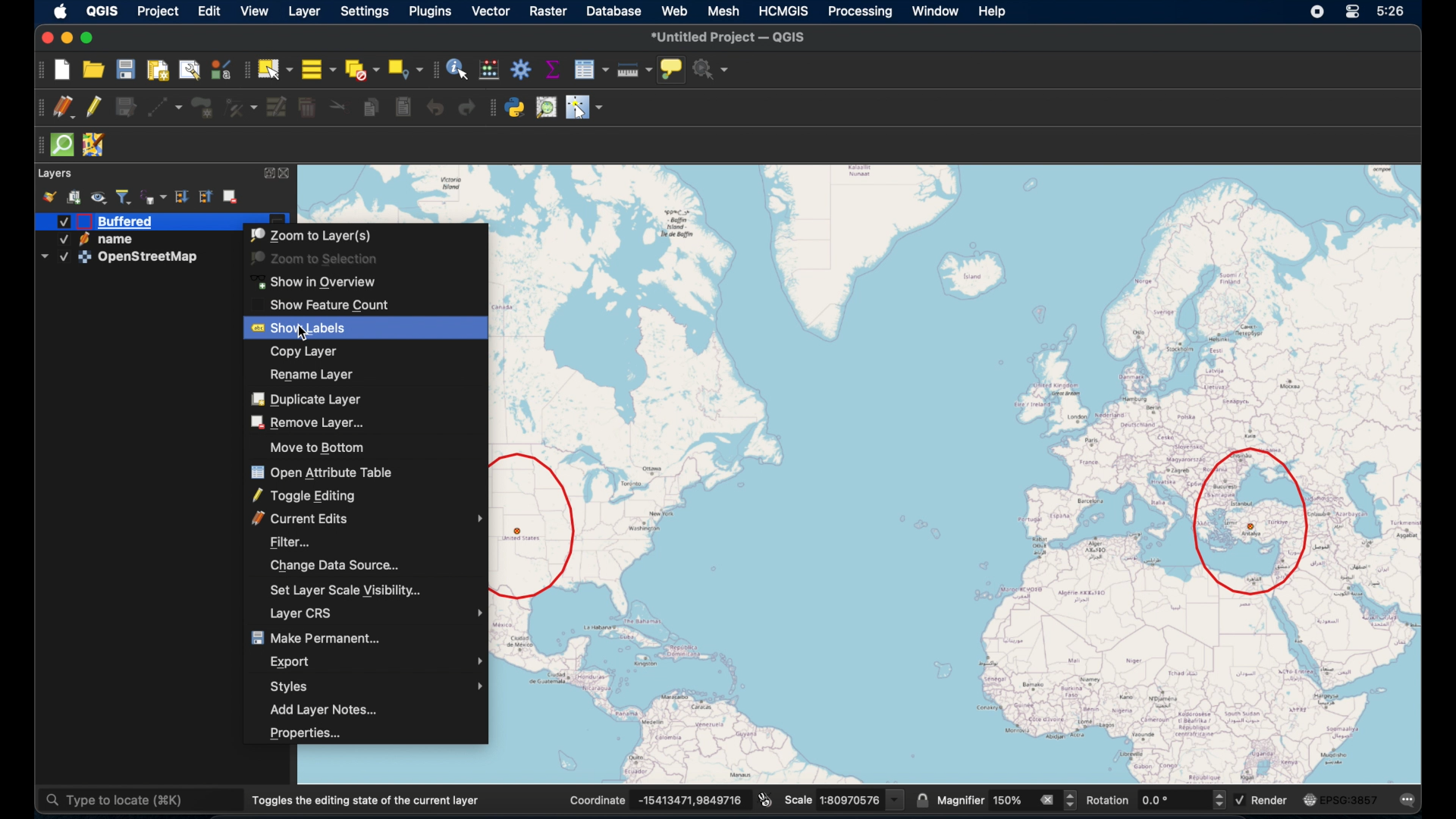 The width and height of the screenshot is (1456, 819). I want to click on make permanent, so click(312, 635).